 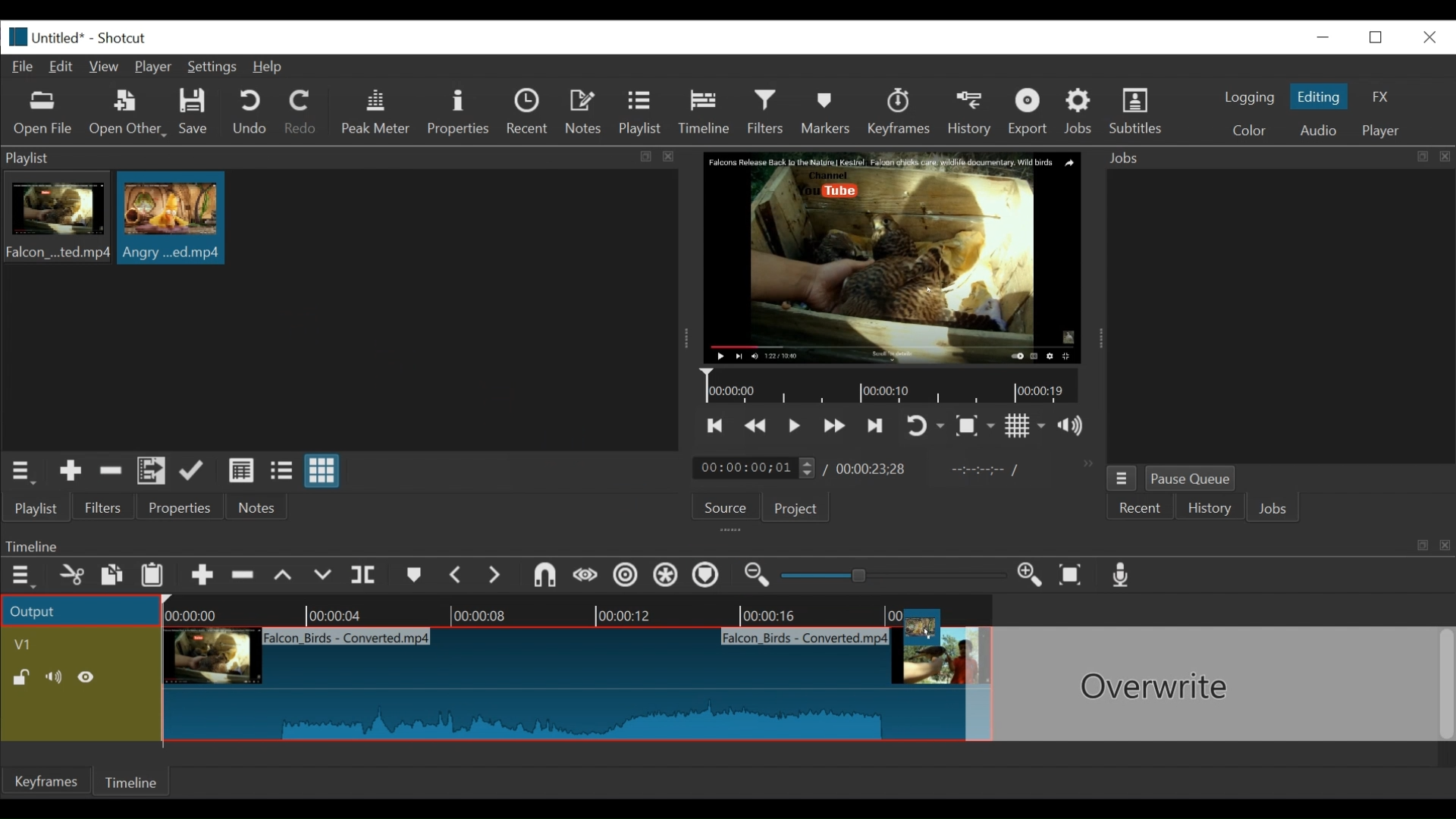 What do you see at coordinates (1191, 482) in the screenshot?
I see `Pause Queue` at bounding box center [1191, 482].